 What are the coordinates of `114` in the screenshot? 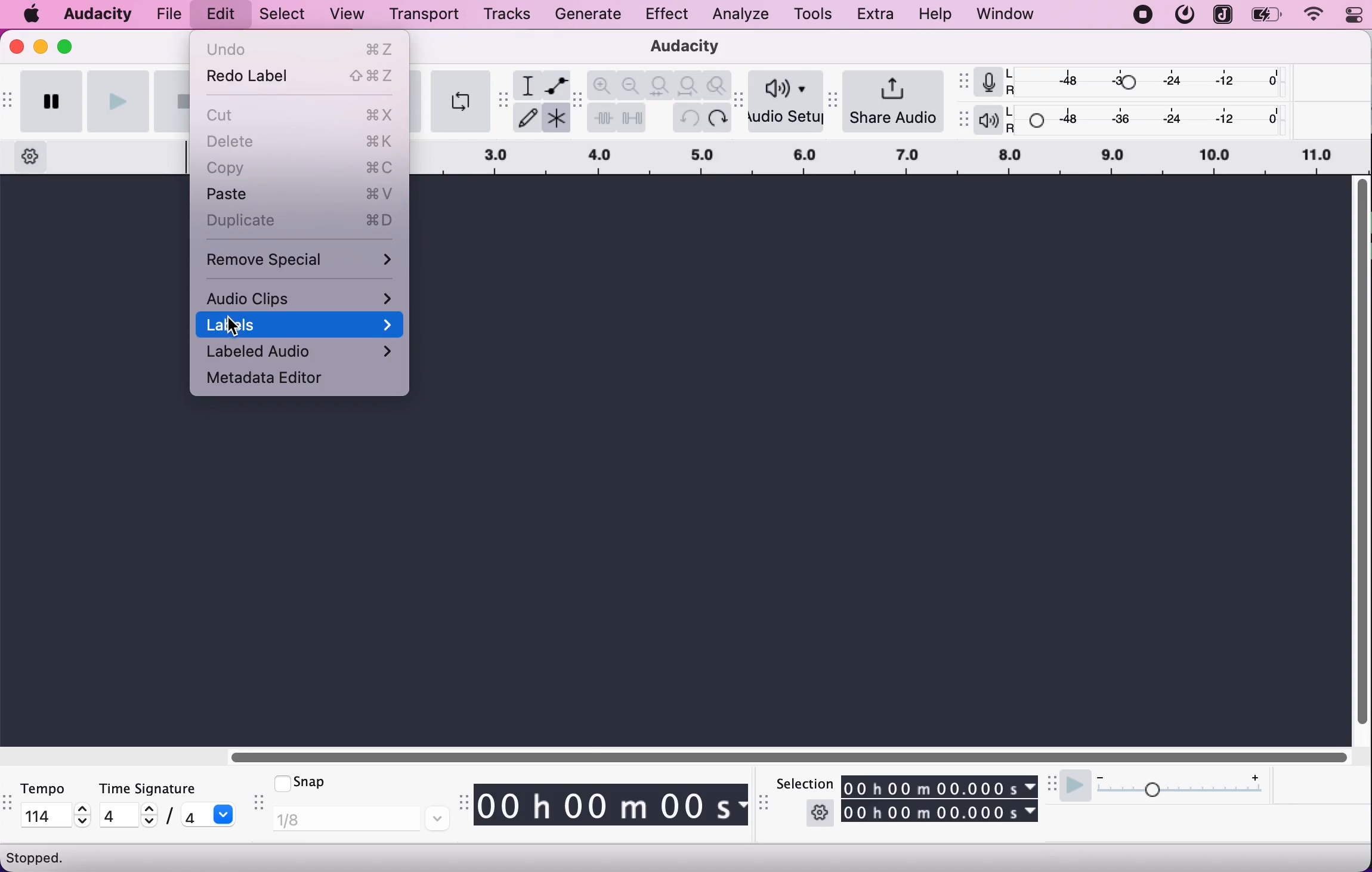 It's located at (47, 814).